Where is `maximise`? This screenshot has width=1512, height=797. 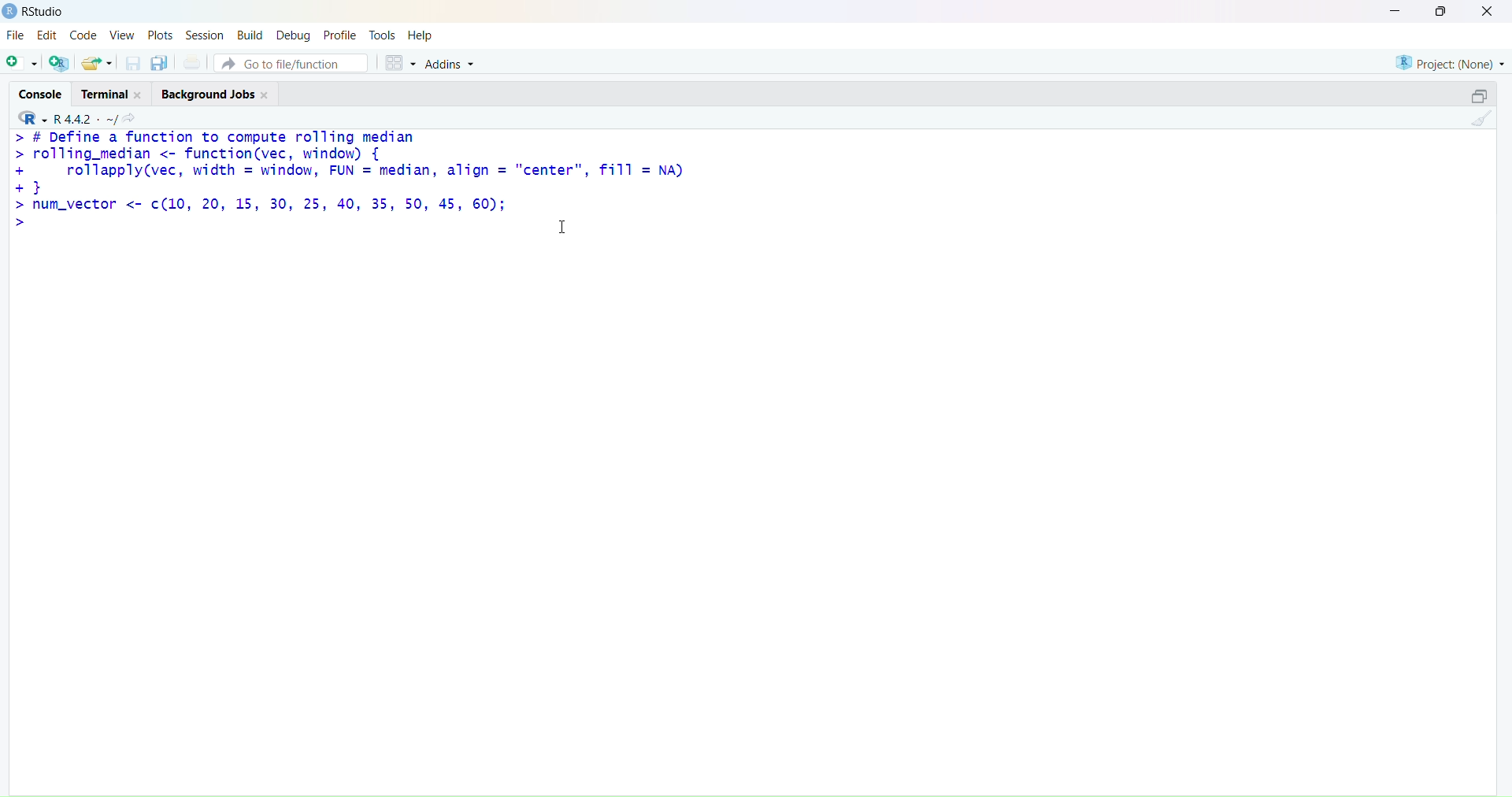
maximise is located at coordinates (1440, 11).